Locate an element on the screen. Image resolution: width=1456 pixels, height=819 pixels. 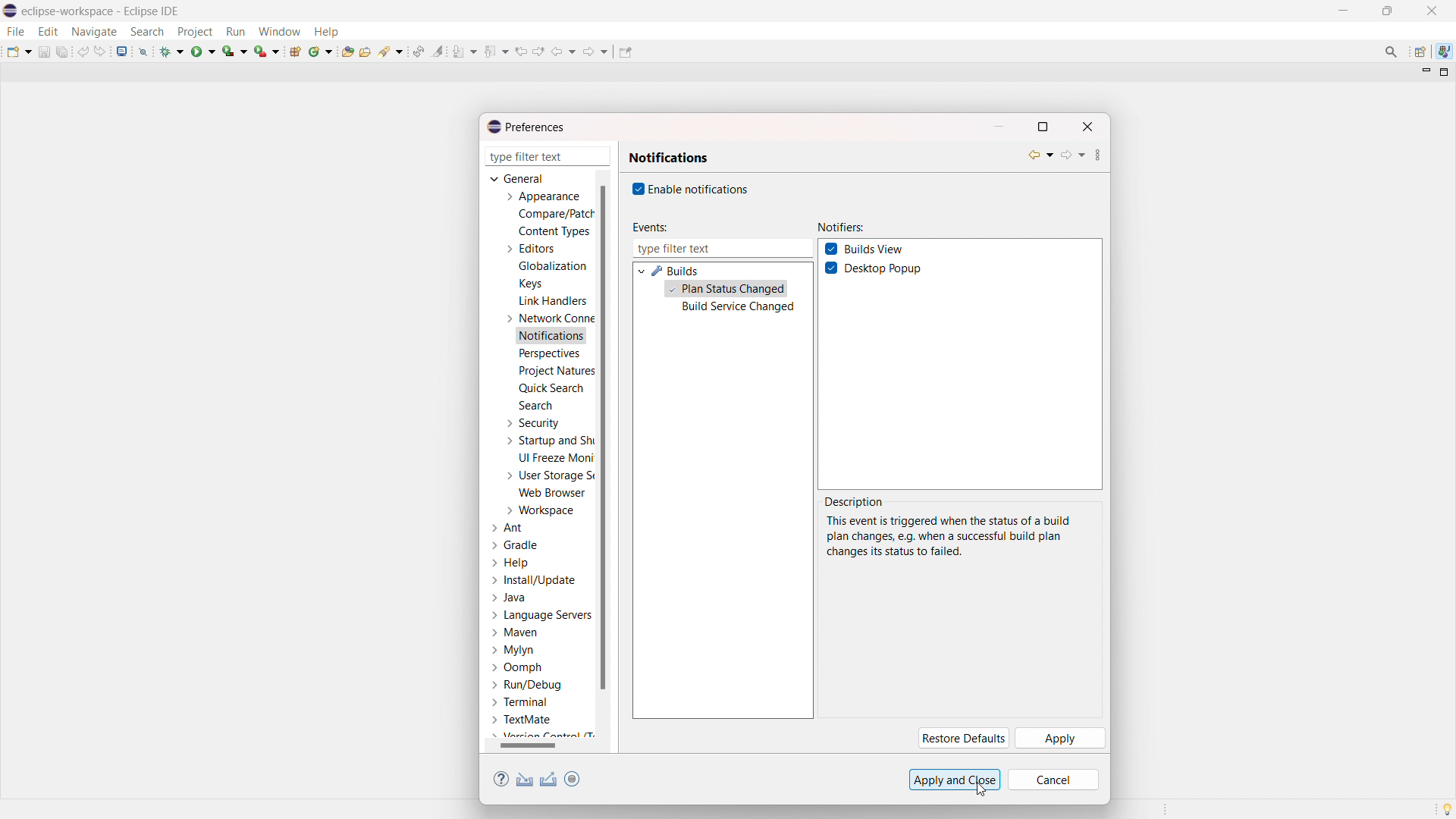
Checkbox is located at coordinates (831, 248).